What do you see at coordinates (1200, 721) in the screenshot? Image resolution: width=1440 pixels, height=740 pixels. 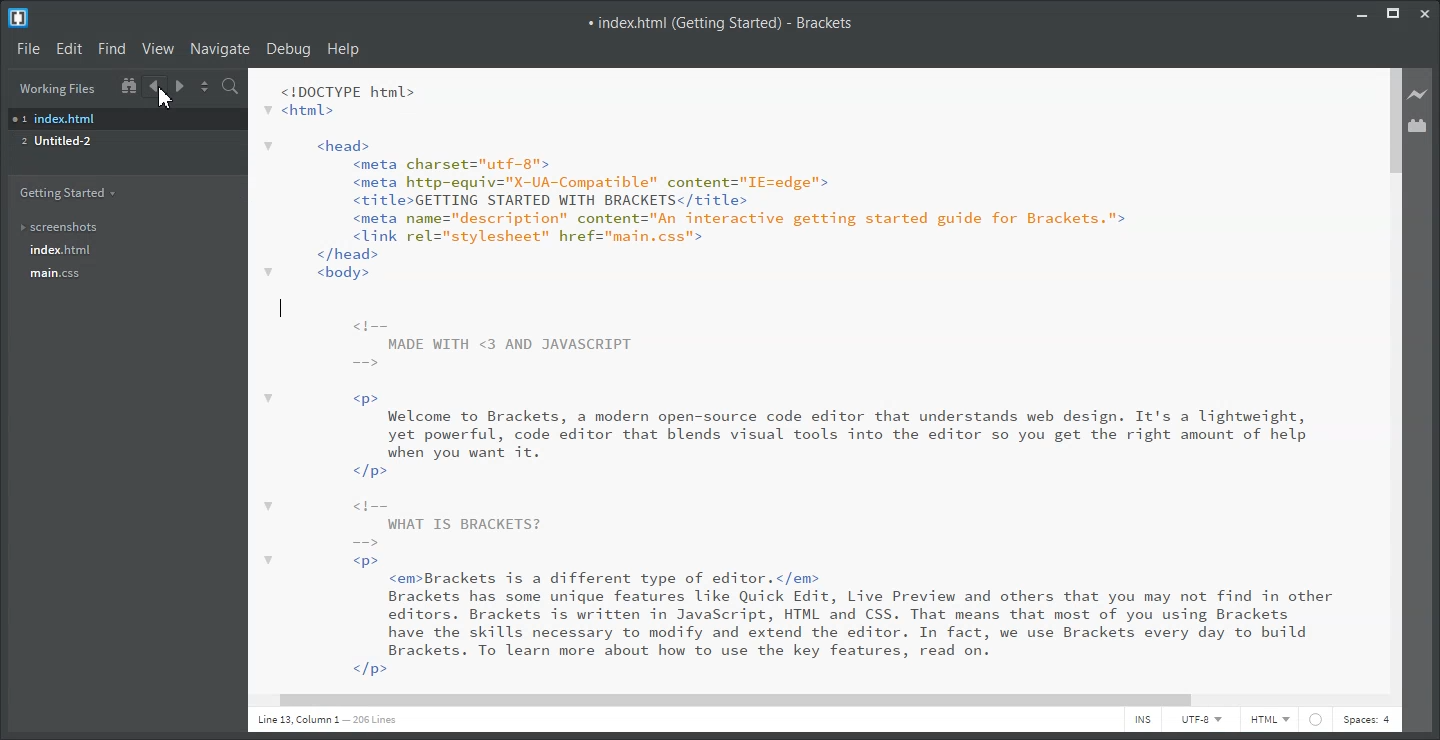 I see `UTF-8` at bounding box center [1200, 721].